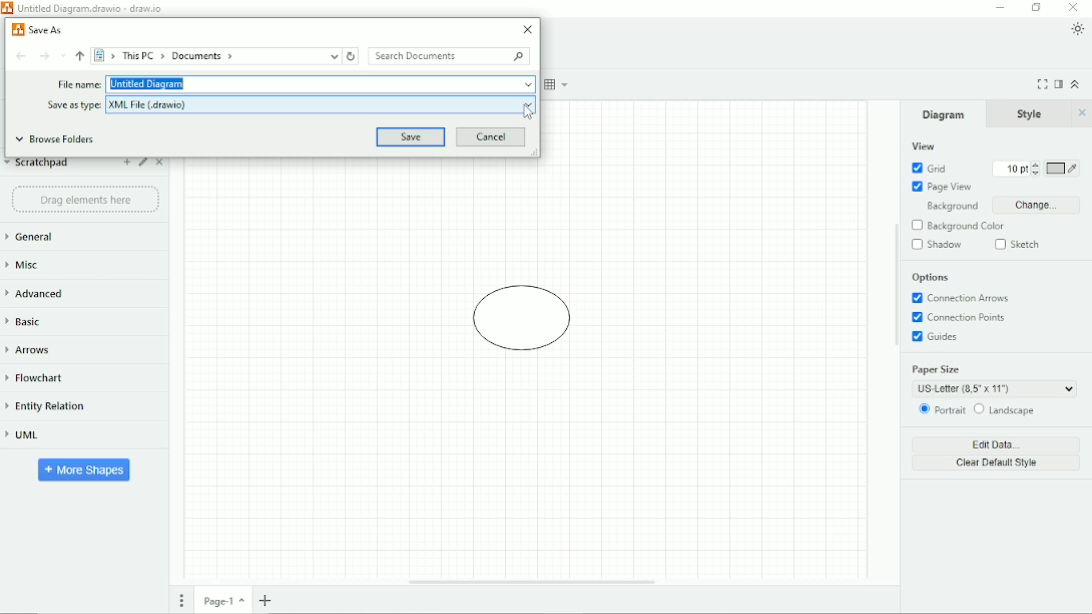 This screenshot has height=614, width=1092. Describe the element at coordinates (53, 138) in the screenshot. I see `Browse Folders` at that location.